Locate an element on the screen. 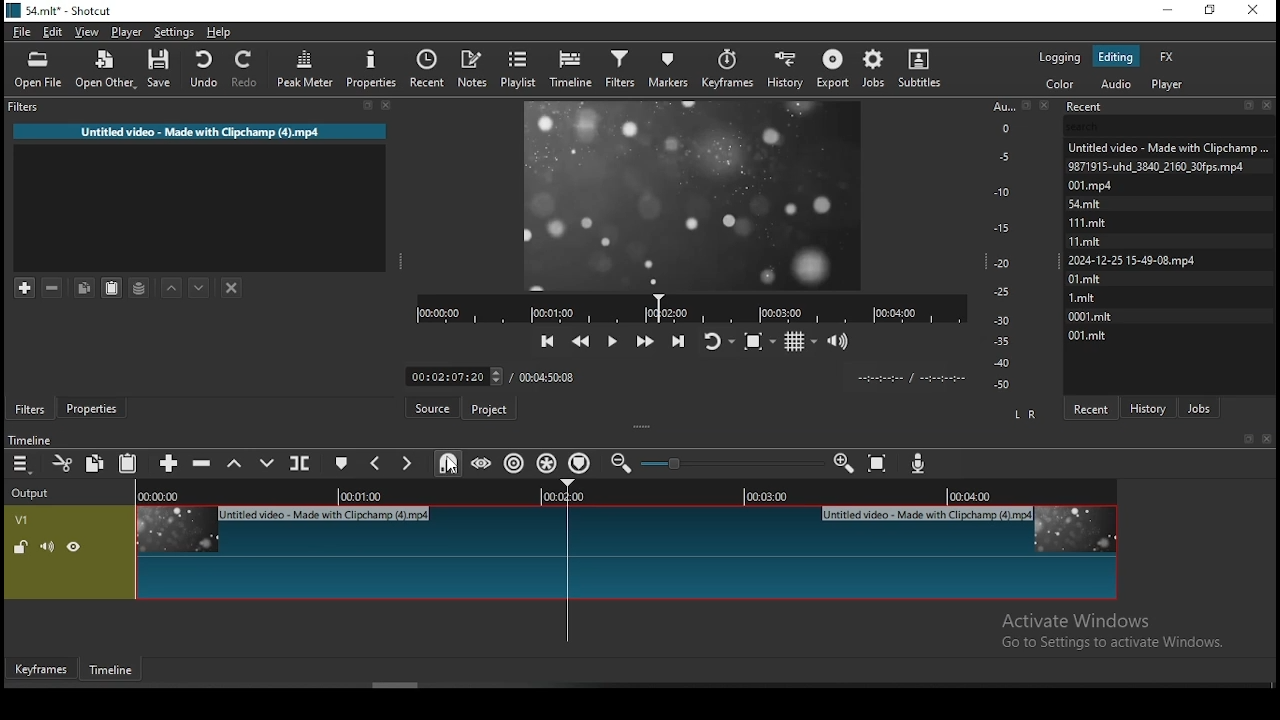 Image resolution: width=1280 pixels, height=720 pixels. notes is located at coordinates (469, 67).